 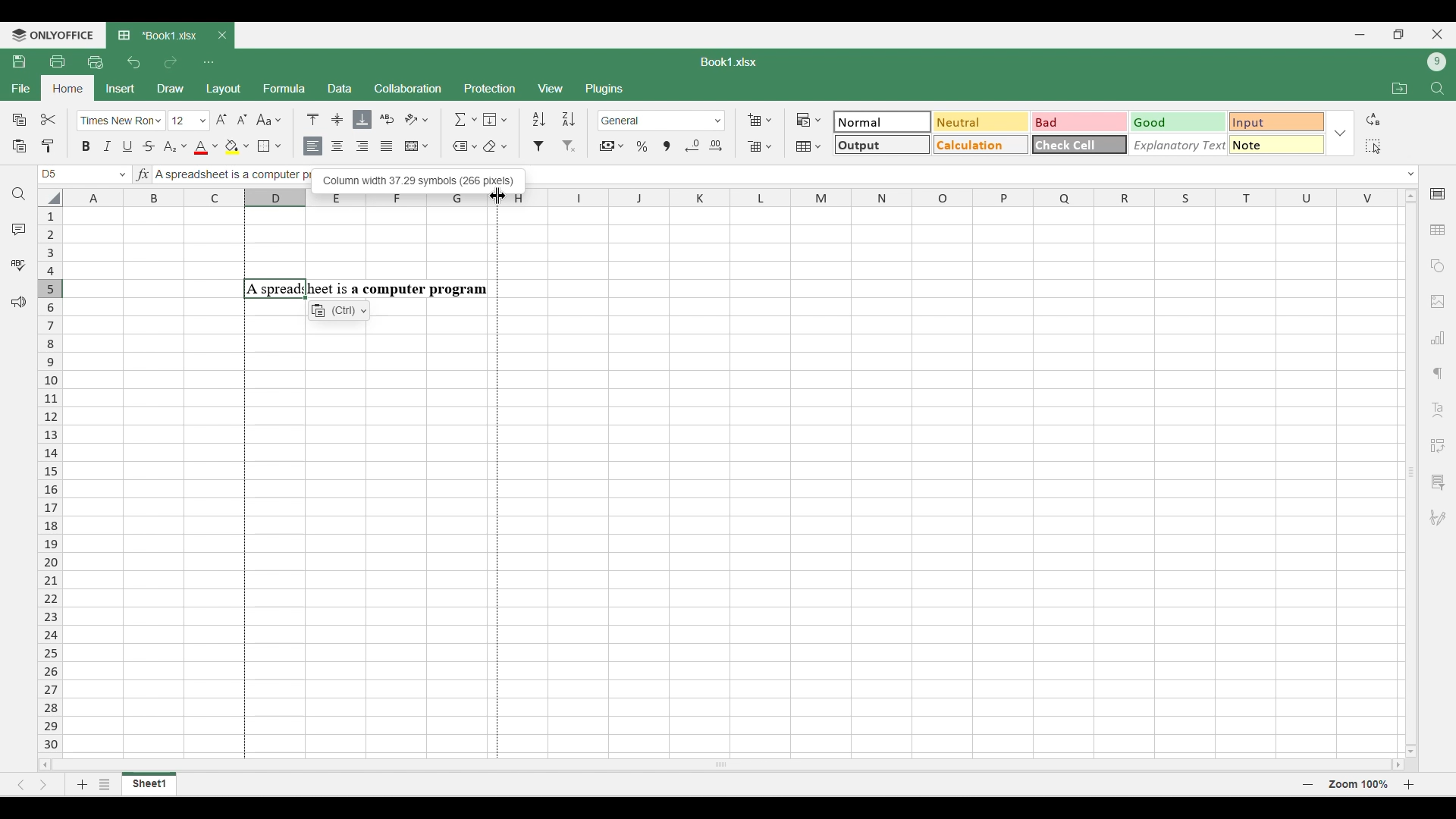 I want to click on Close tab, so click(x=222, y=36).